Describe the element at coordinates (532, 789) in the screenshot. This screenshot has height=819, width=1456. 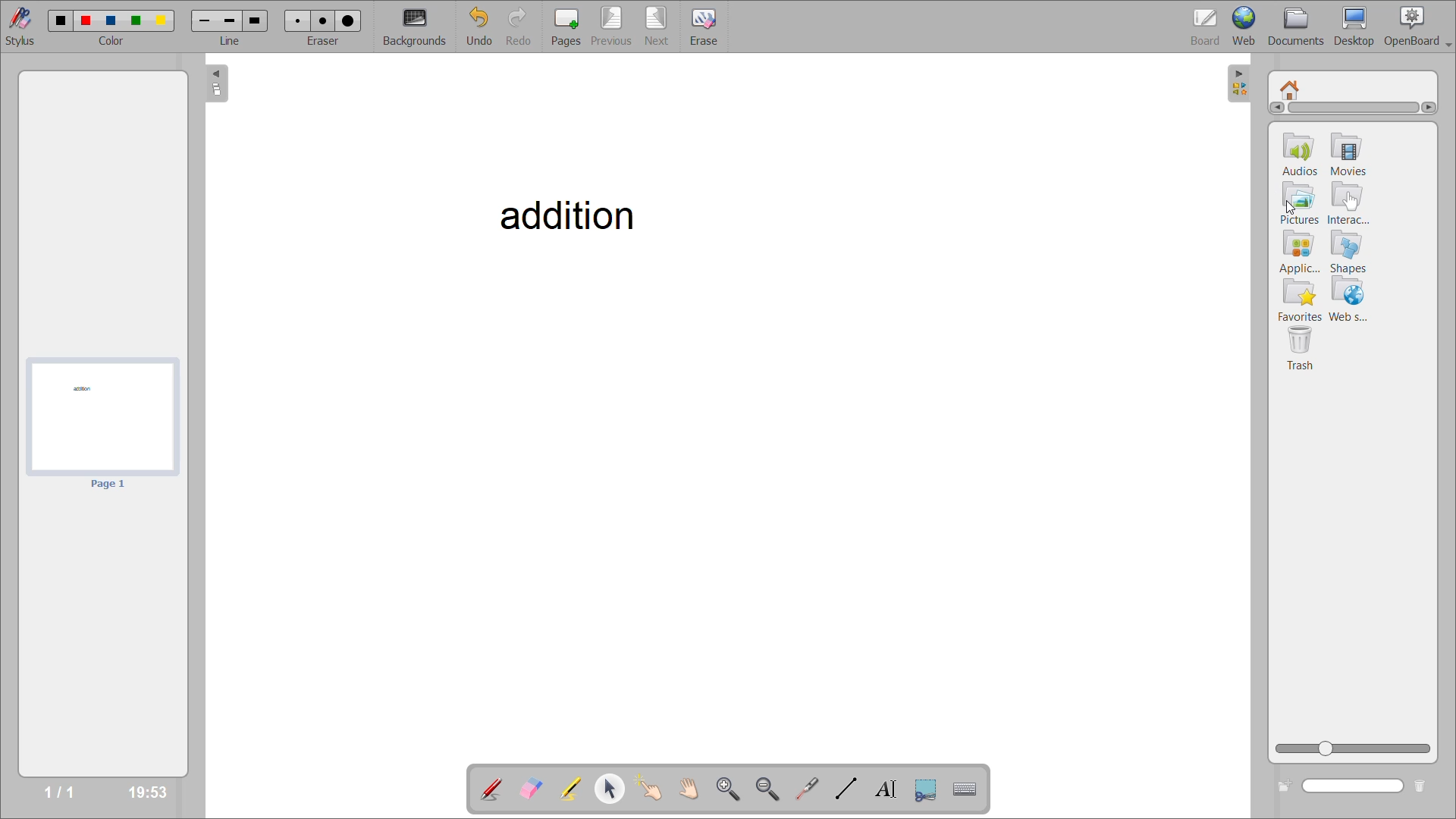
I see `erase annotation` at that location.